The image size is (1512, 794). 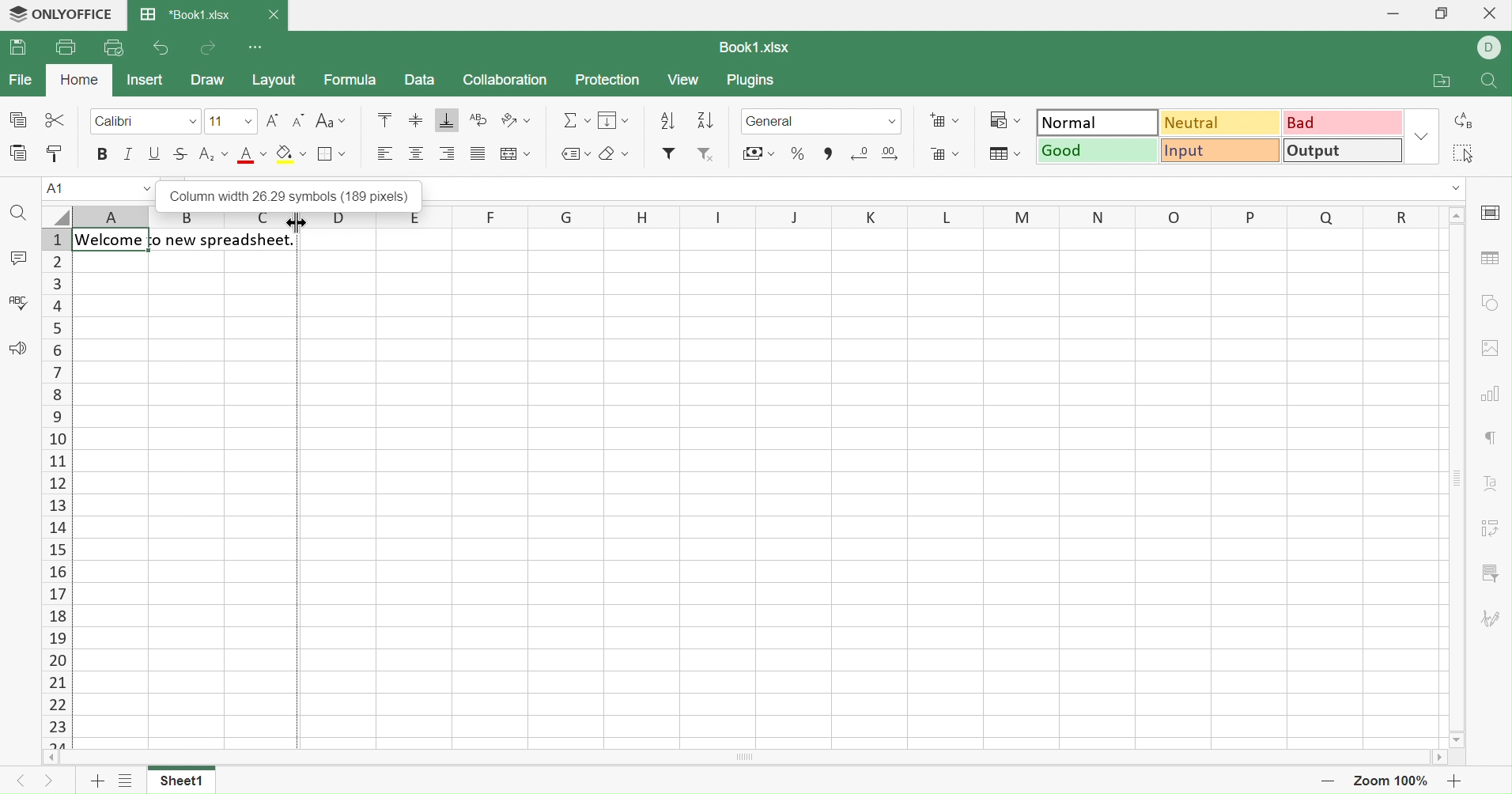 I want to click on Select all, so click(x=1465, y=153).